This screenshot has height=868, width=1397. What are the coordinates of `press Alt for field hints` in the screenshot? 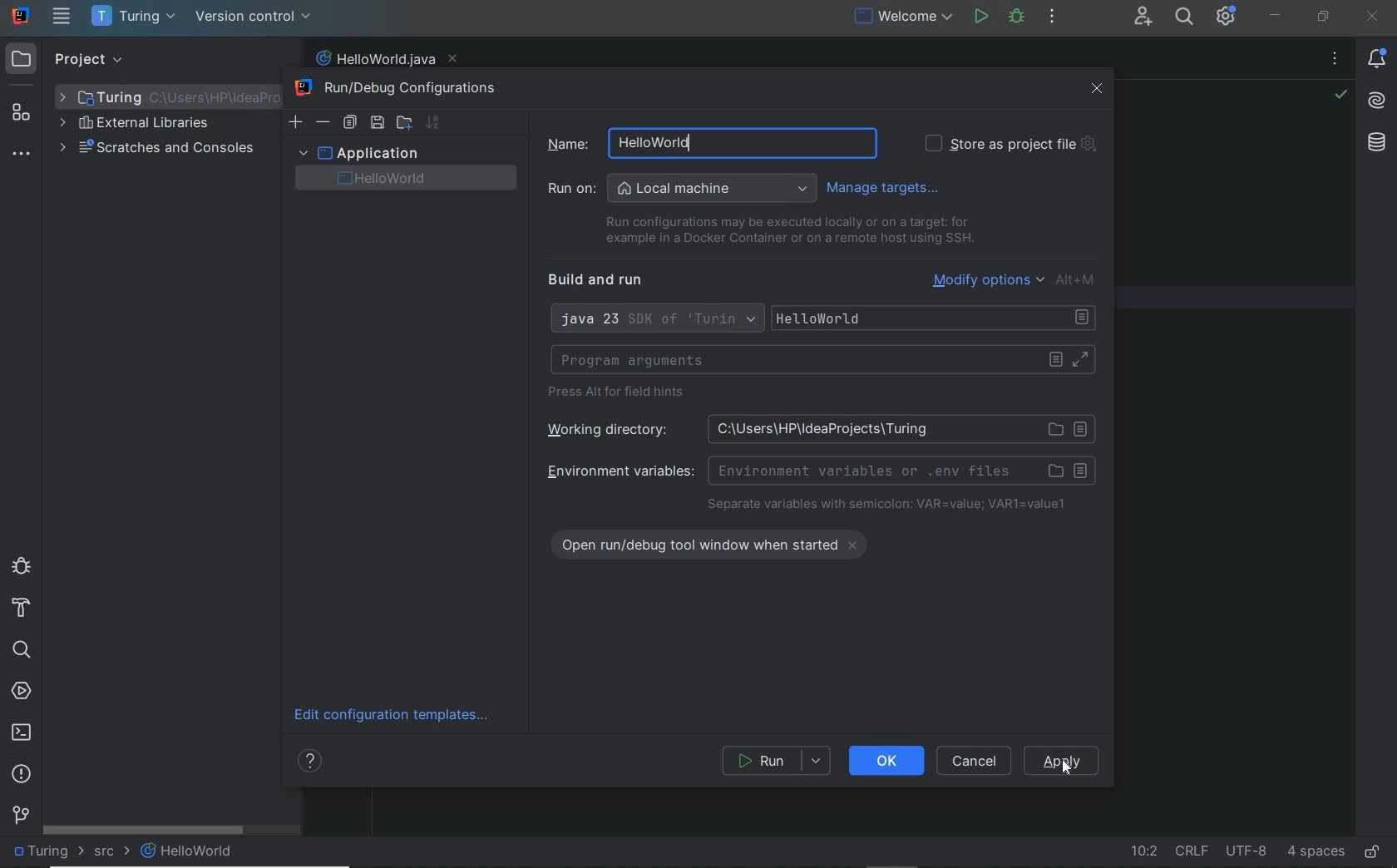 It's located at (621, 394).